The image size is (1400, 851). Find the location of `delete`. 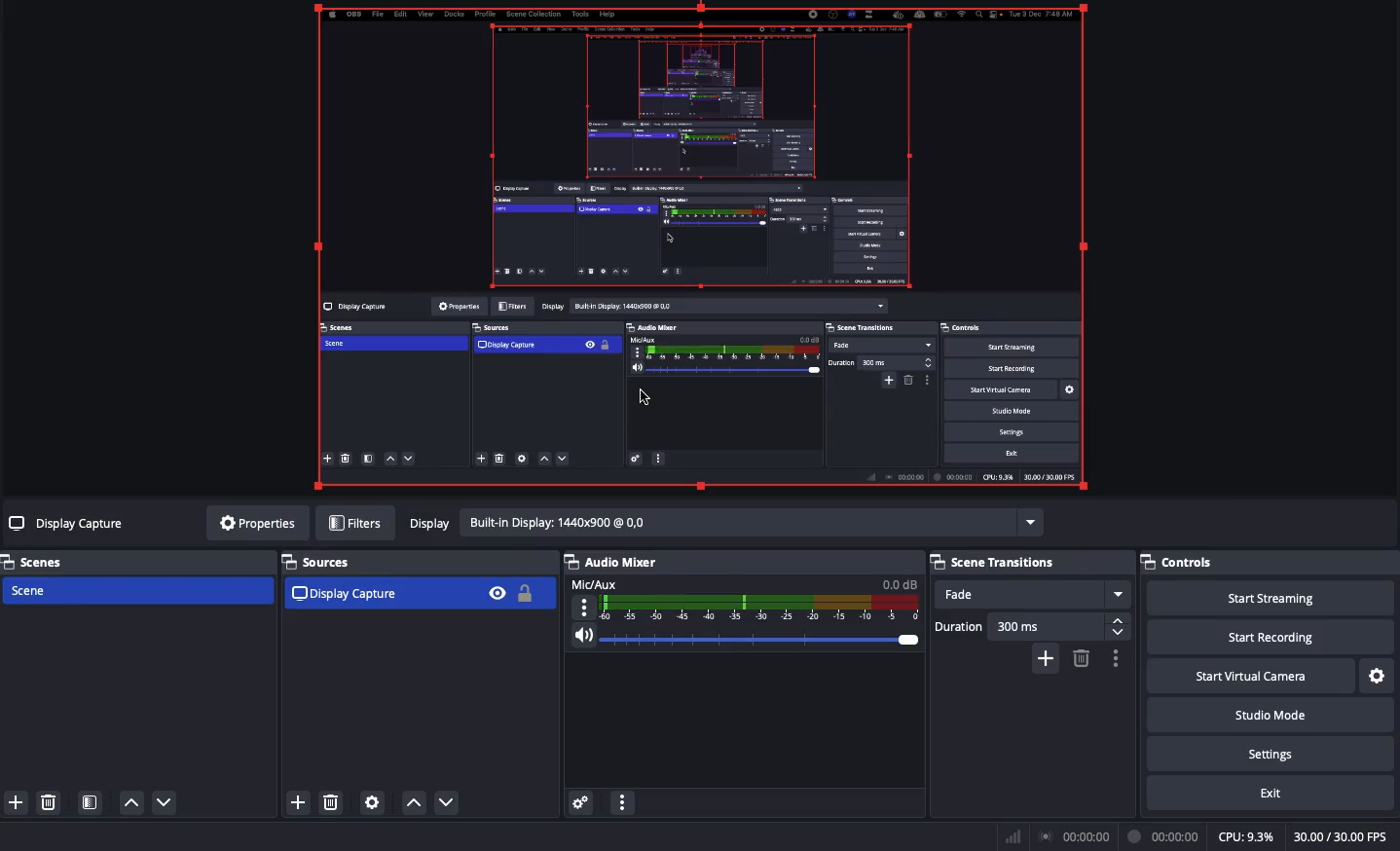

delete is located at coordinates (1084, 662).